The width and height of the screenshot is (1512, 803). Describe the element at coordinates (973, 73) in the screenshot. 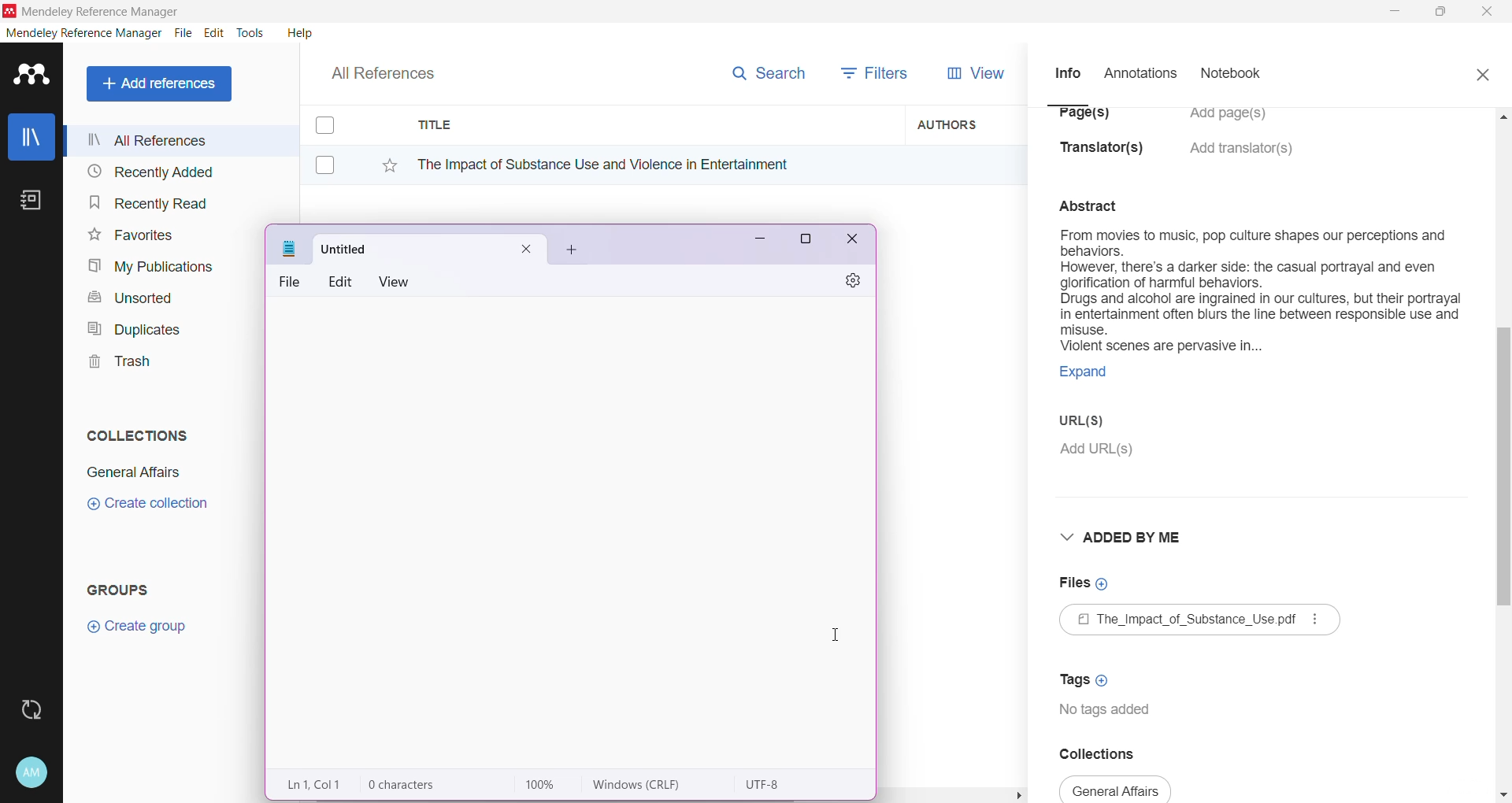

I see `View` at that location.